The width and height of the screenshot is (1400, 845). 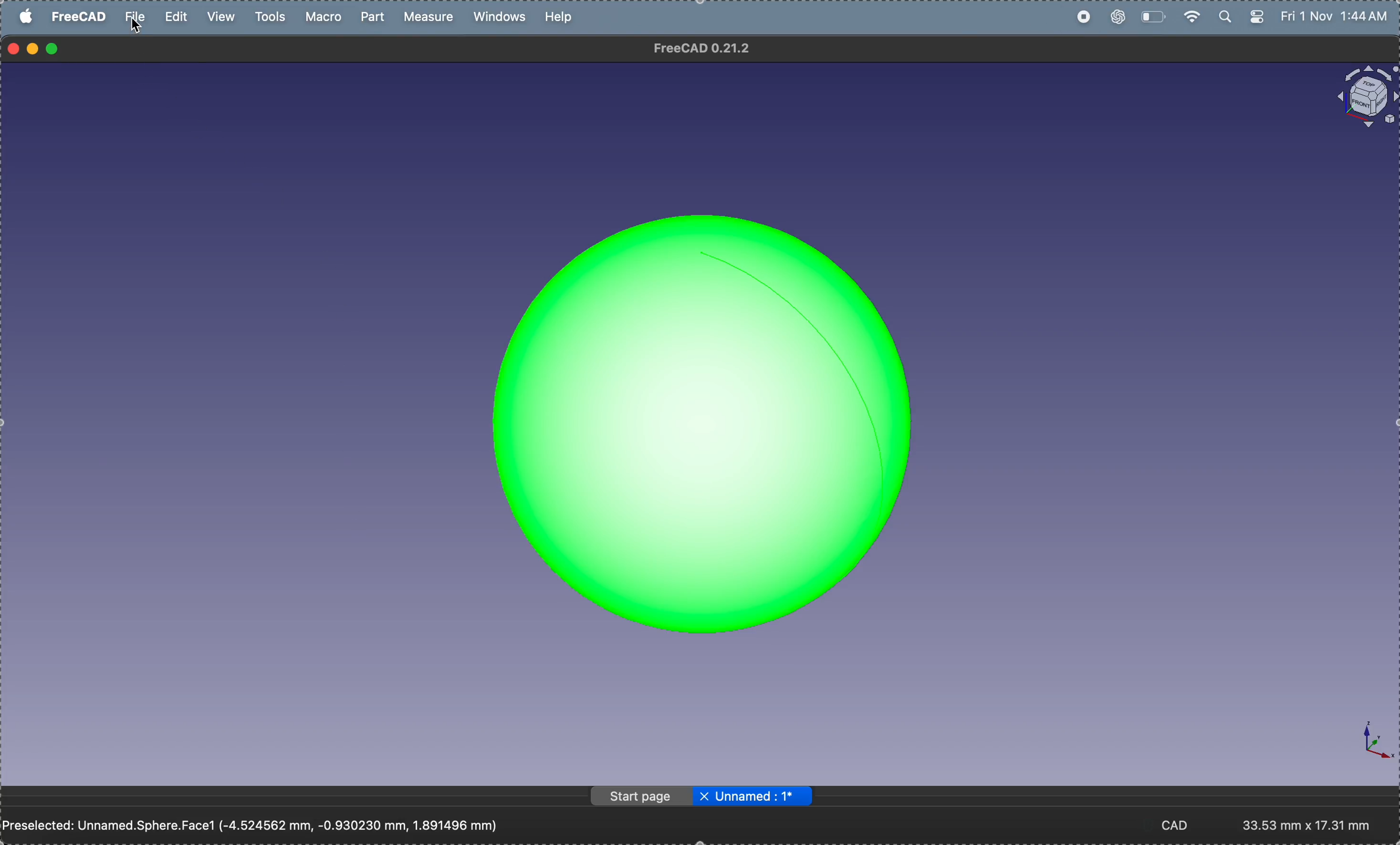 What do you see at coordinates (1191, 15) in the screenshot?
I see `wifi` at bounding box center [1191, 15].